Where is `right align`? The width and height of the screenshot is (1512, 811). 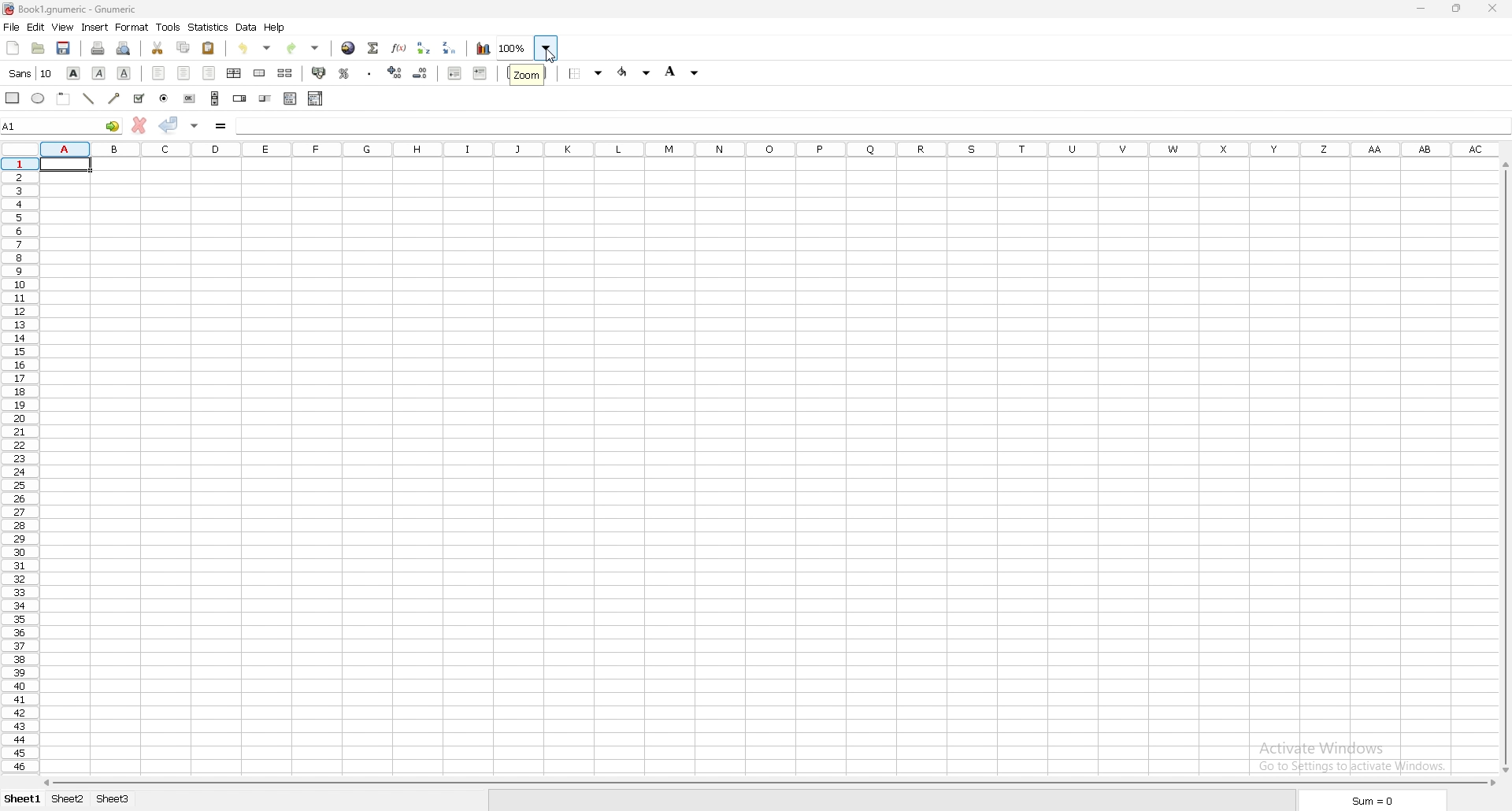 right align is located at coordinates (209, 72).